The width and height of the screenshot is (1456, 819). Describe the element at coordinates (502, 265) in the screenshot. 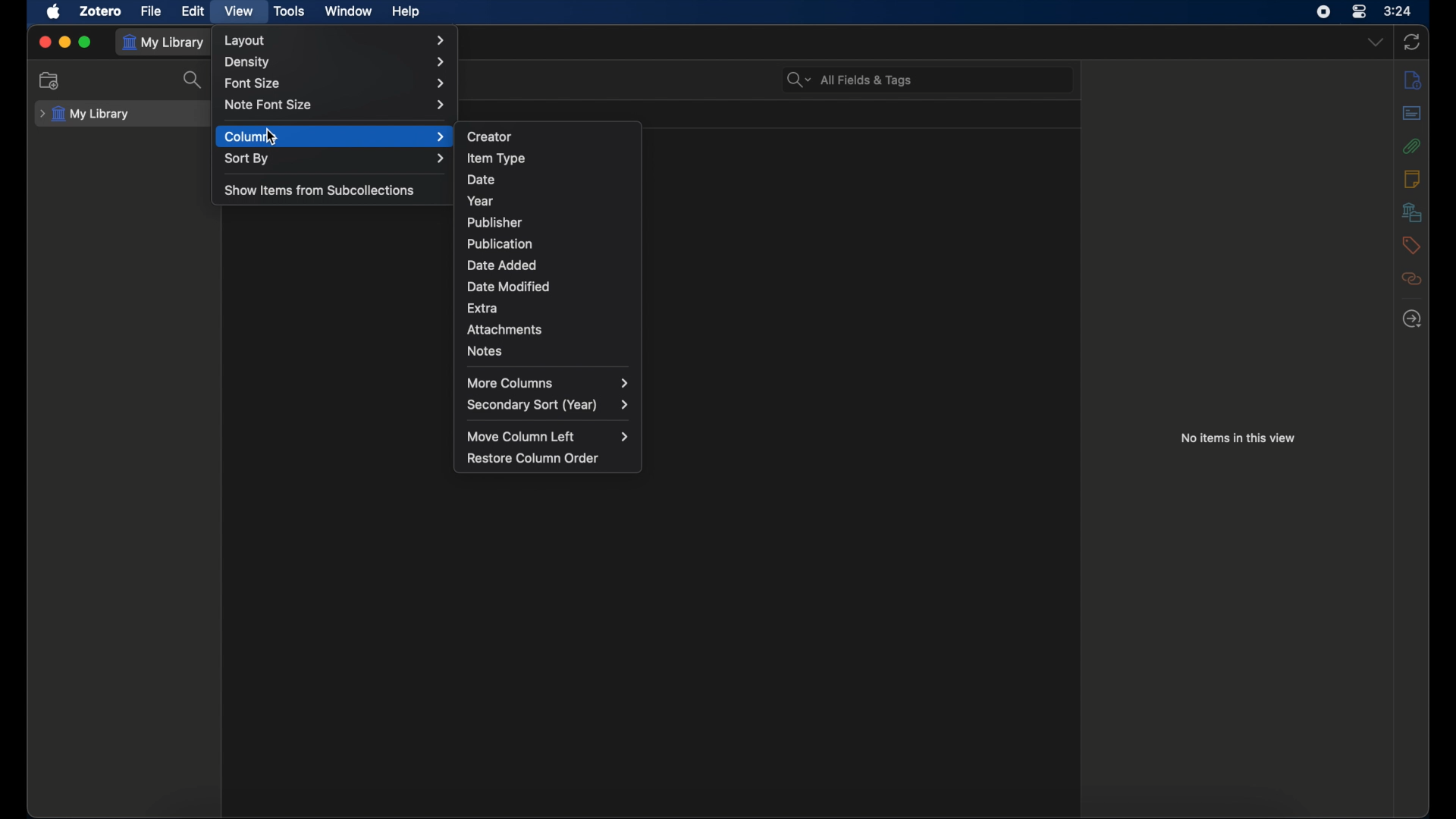

I see `date added` at that location.